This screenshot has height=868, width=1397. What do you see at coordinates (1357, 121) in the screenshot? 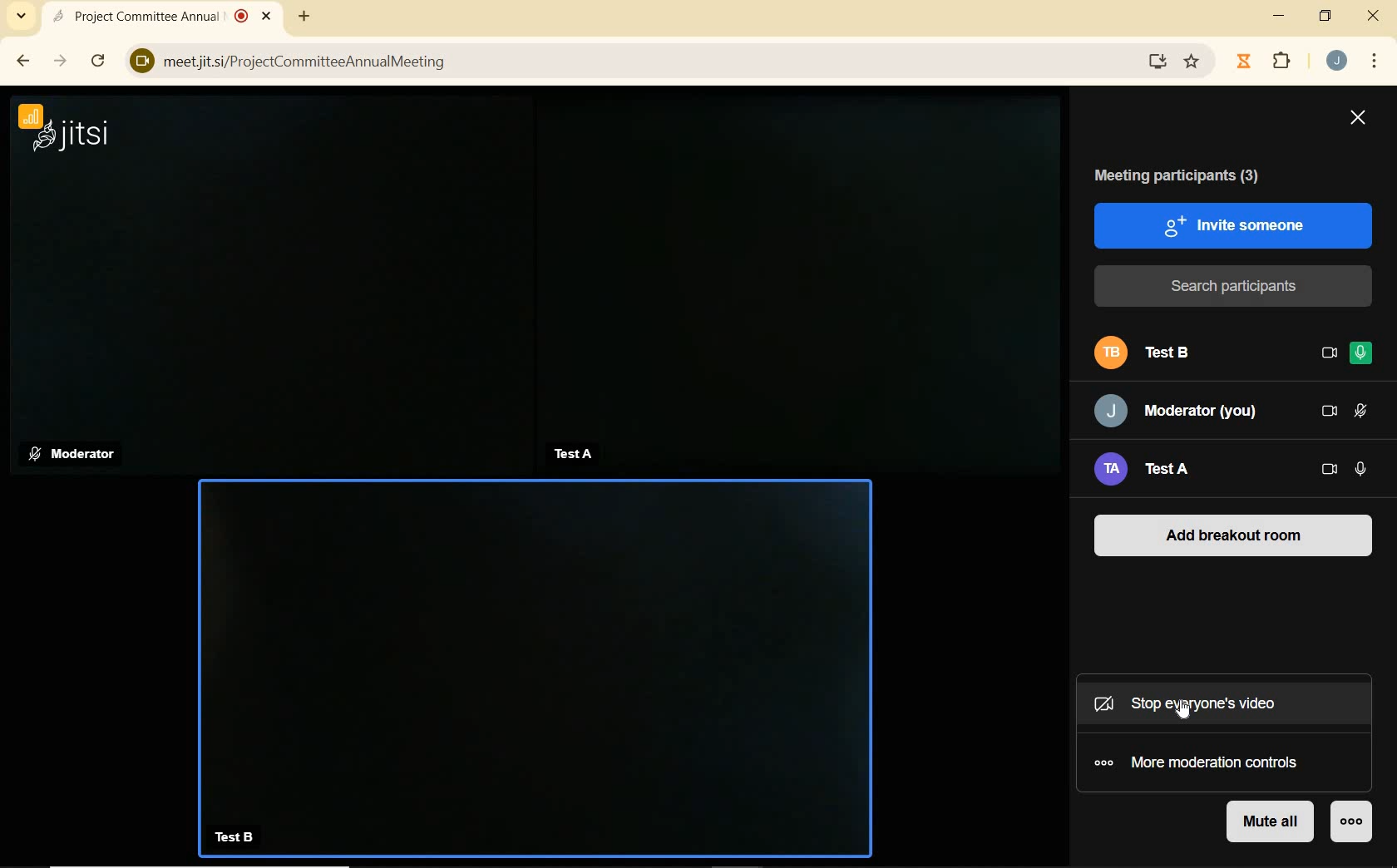
I see `CLOSE` at bounding box center [1357, 121].